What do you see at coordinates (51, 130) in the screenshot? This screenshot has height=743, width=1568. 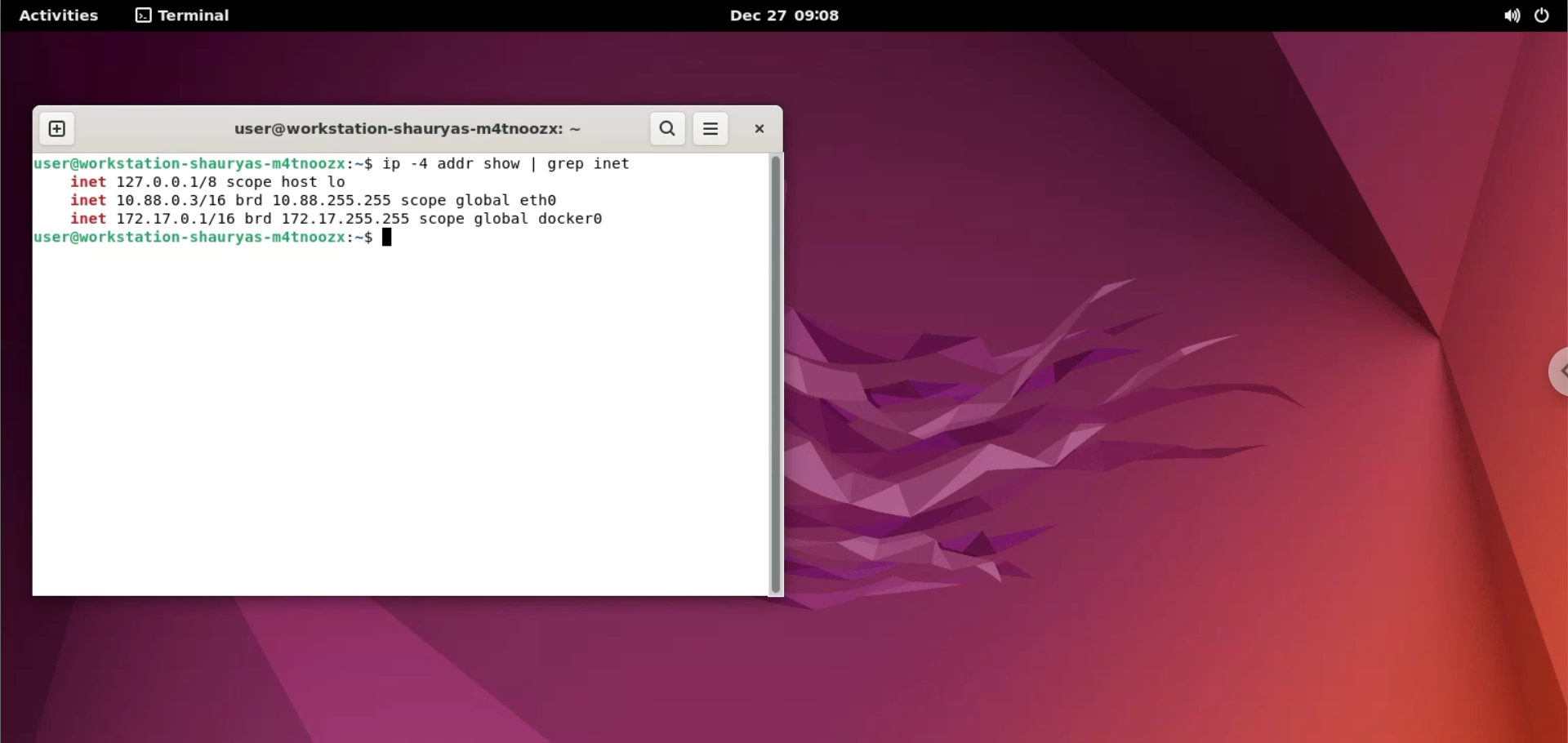 I see `new tab` at bounding box center [51, 130].